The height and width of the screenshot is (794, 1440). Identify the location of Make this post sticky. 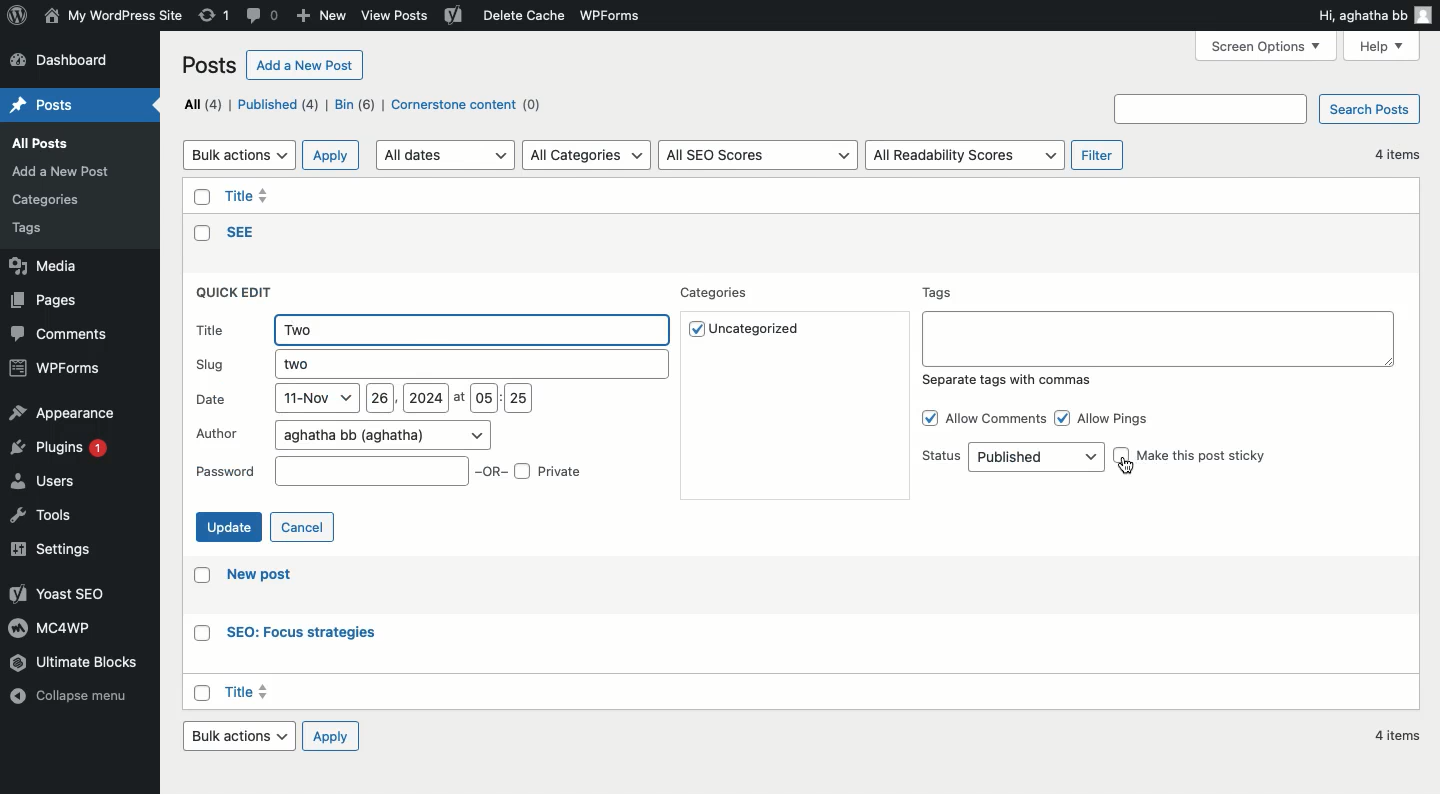
(1192, 455).